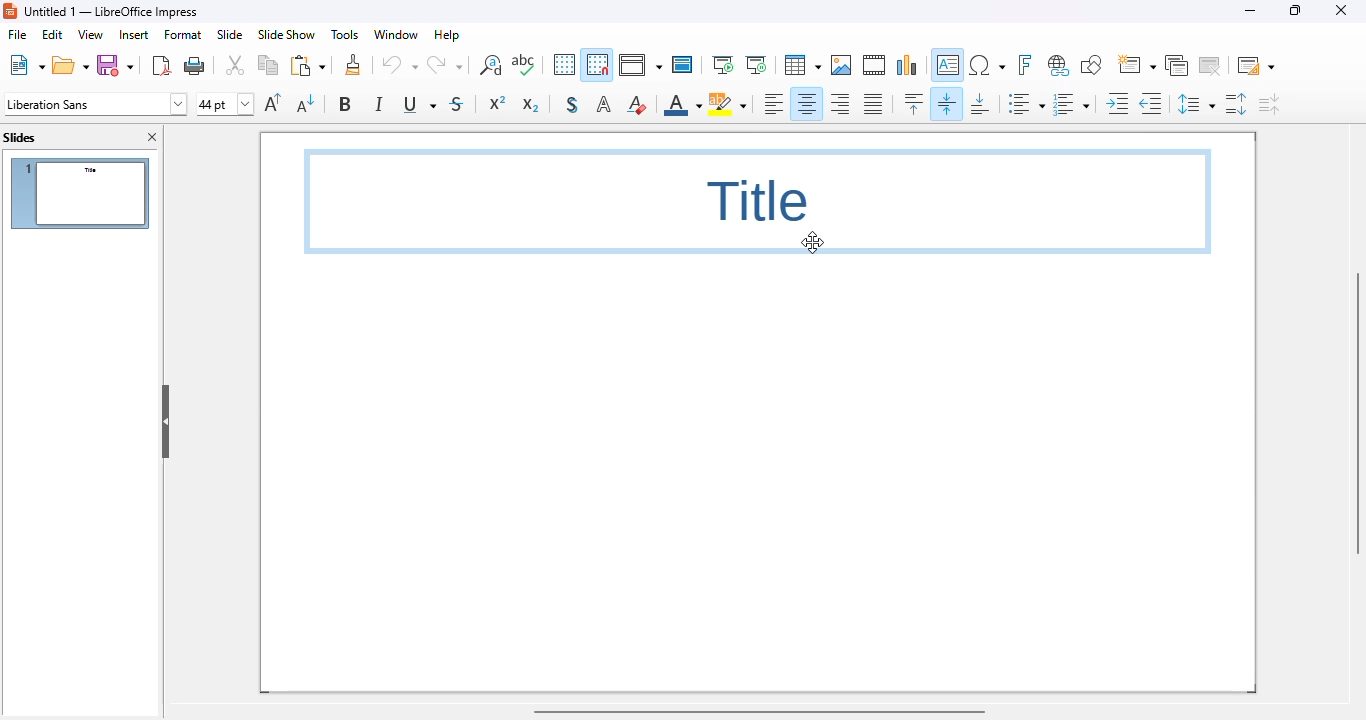 The image size is (1366, 720). I want to click on bold, so click(346, 103).